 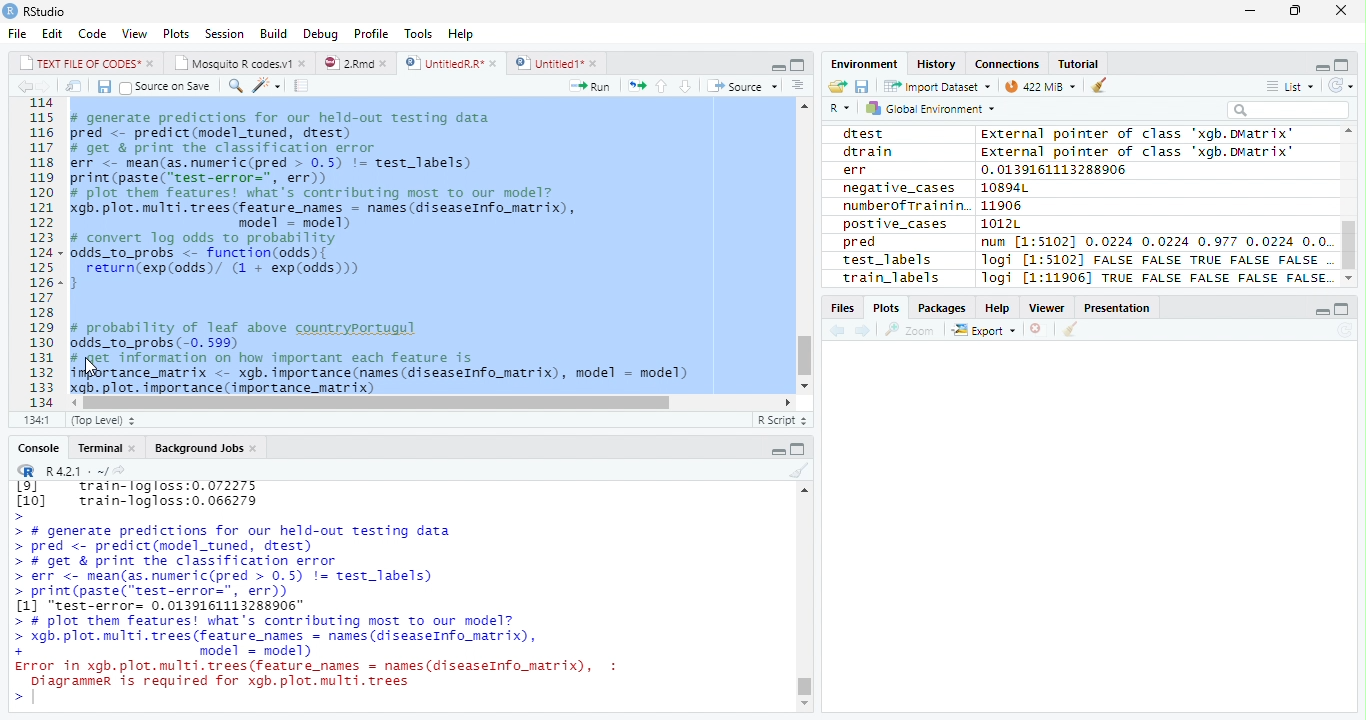 I want to click on Next, so click(x=49, y=86).